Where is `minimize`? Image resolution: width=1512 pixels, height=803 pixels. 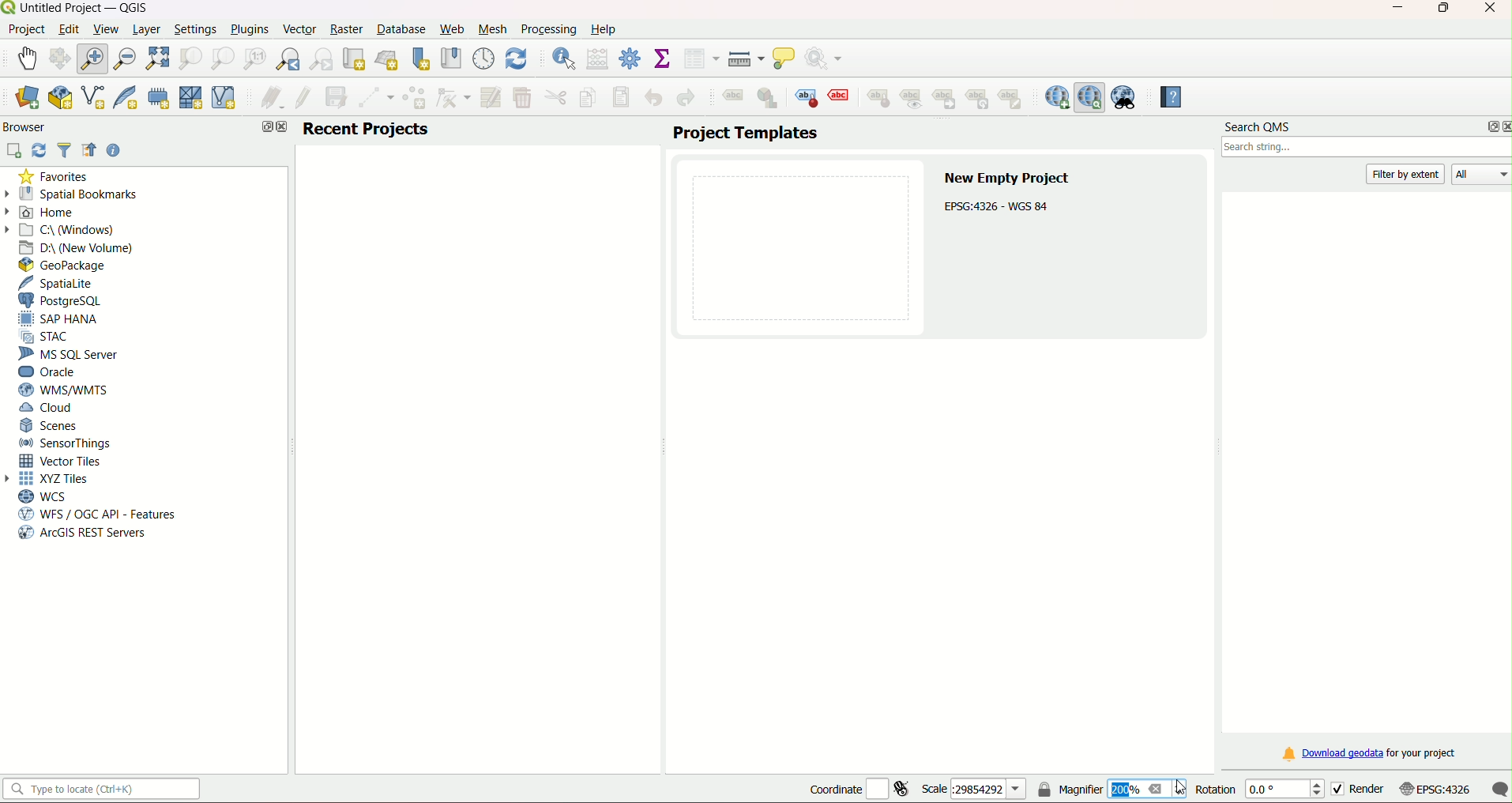
minimize is located at coordinates (1392, 8).